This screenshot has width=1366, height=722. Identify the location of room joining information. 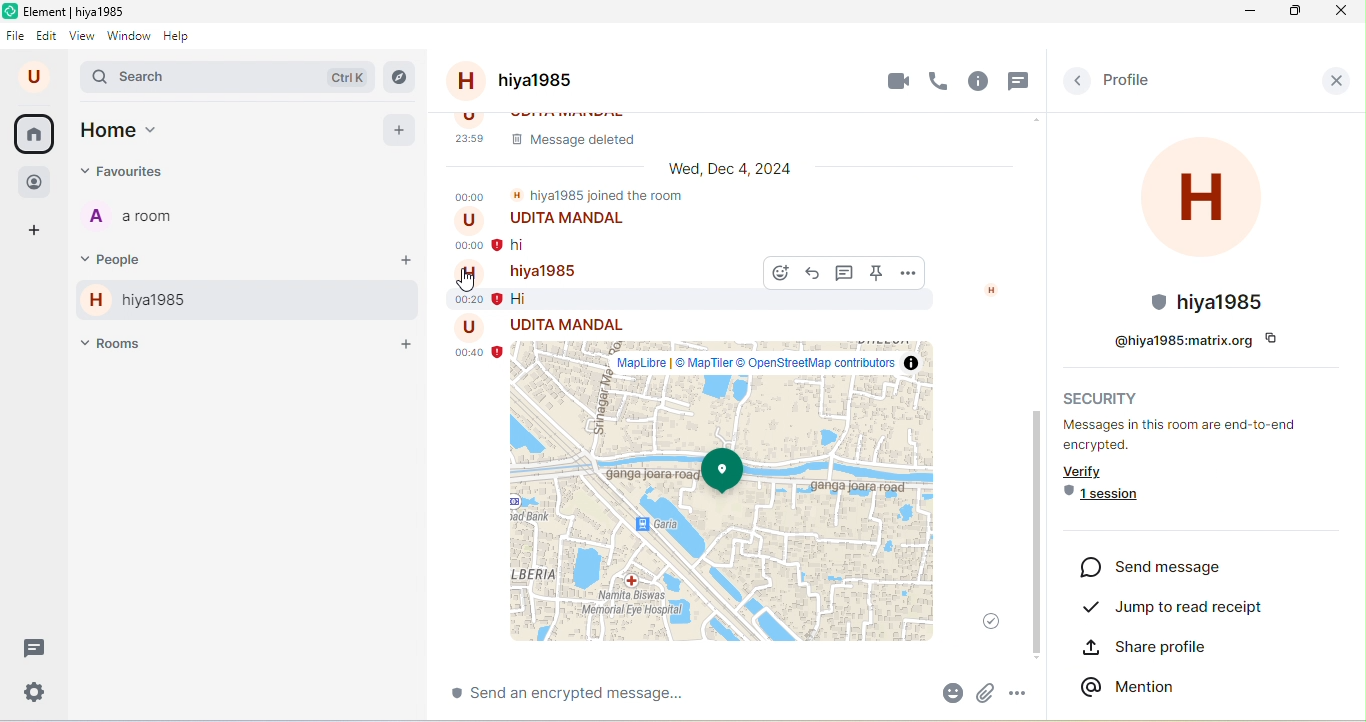
(573, 195).